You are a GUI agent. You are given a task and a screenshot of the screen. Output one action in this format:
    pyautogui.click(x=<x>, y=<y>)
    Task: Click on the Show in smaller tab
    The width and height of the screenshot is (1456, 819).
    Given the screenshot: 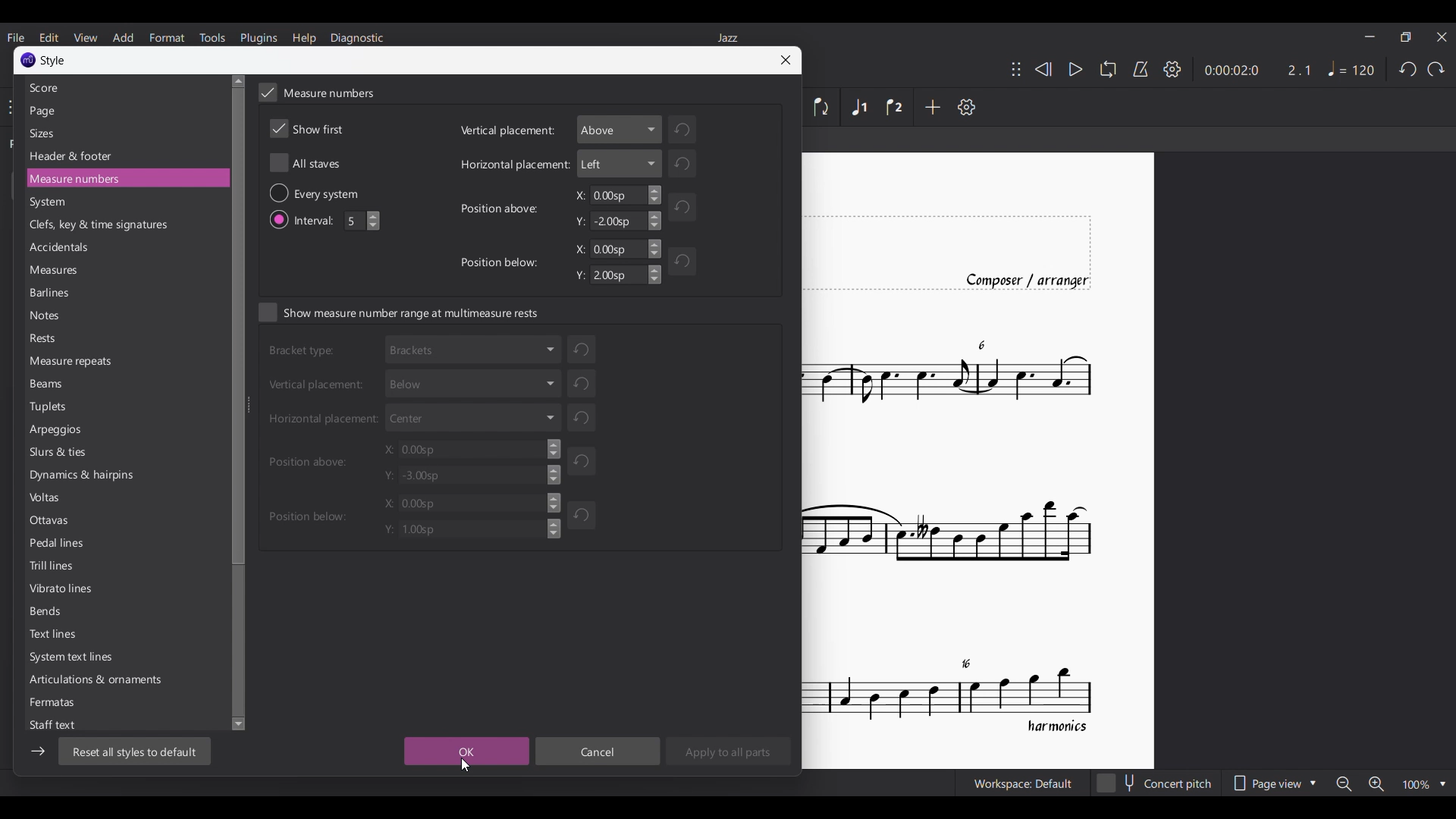 What is the action you would take?
    pyautogui.click(x=1405, y=37)
    